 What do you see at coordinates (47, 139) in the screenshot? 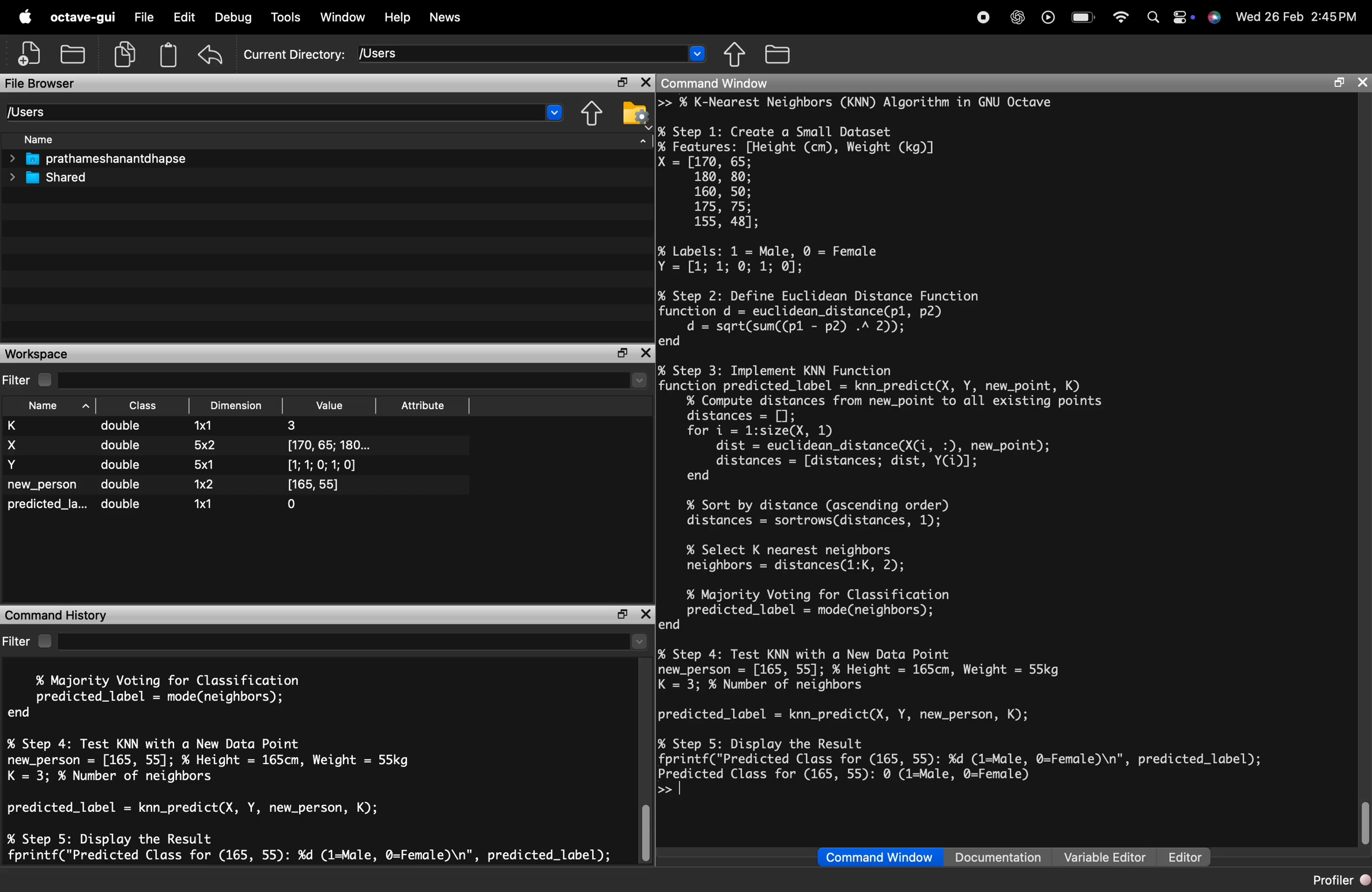
I see `Name` at bounding box center [47, 139].